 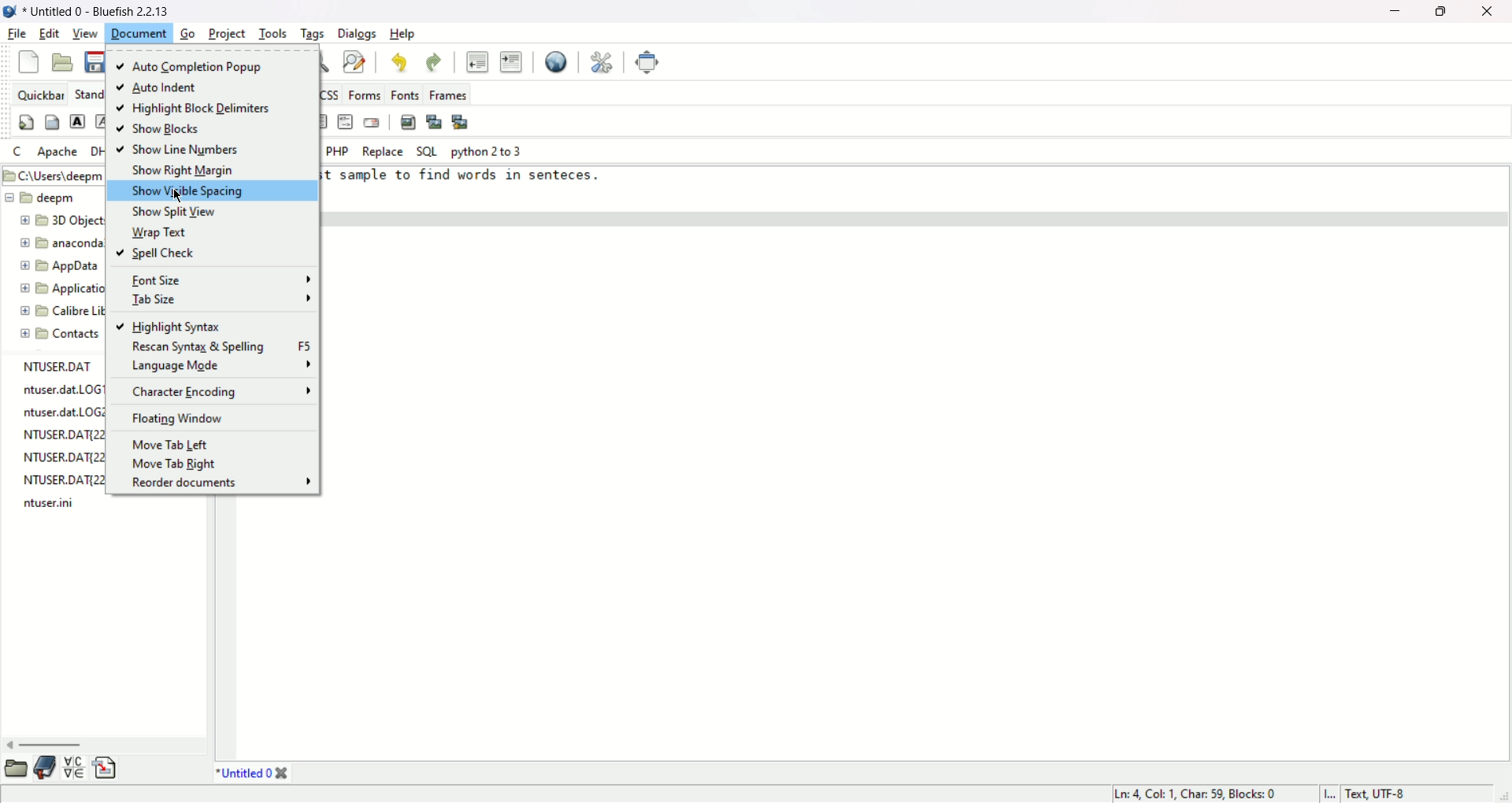 I want to click on SQL, so click(x=427, y=152).